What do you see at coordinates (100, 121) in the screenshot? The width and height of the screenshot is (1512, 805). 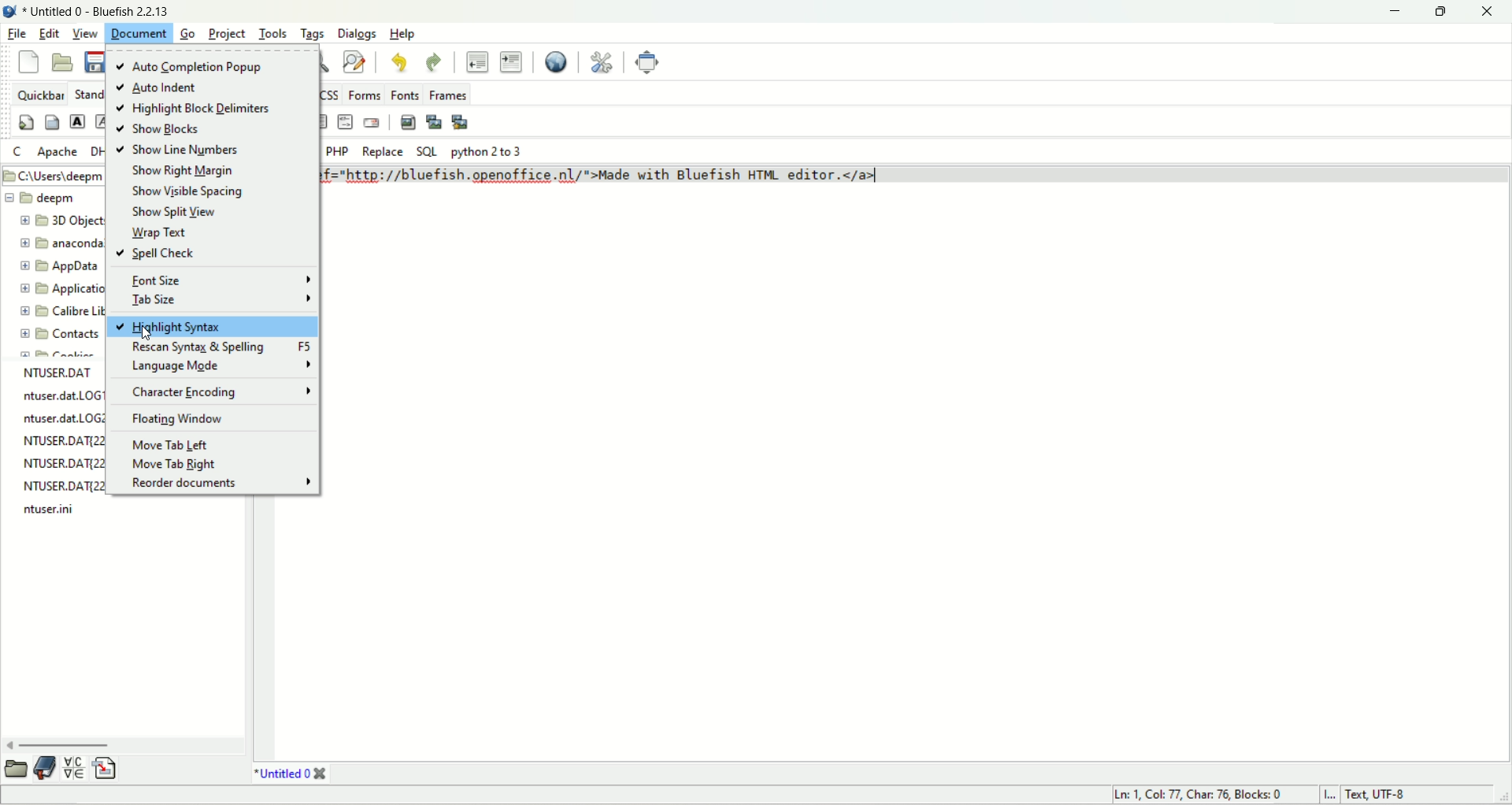 I see `emphasize` at bounding box center [100, 121].